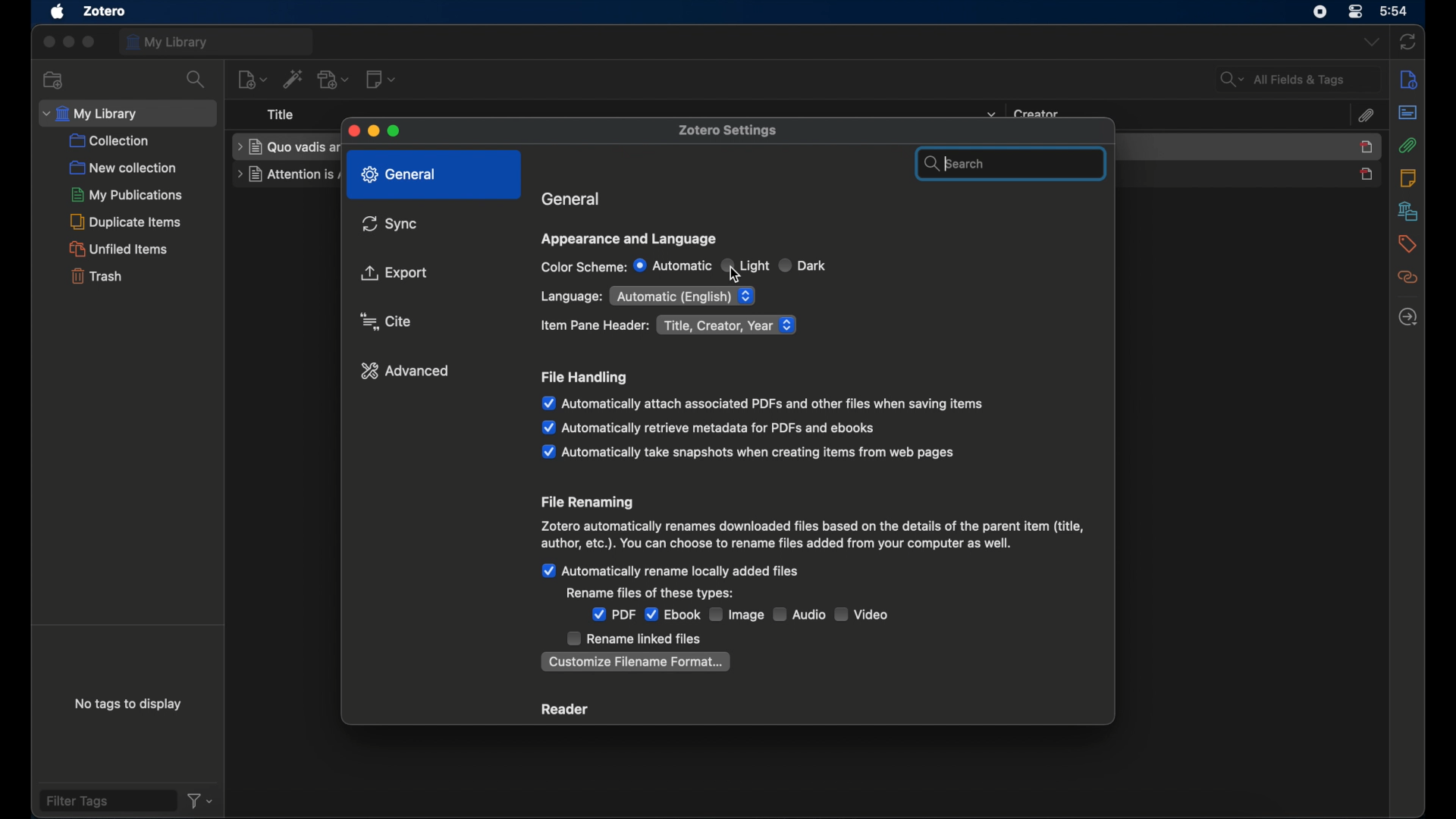  I want to click on automatically retrieve metadata for pdfs and ebooks, so click(711, 428).